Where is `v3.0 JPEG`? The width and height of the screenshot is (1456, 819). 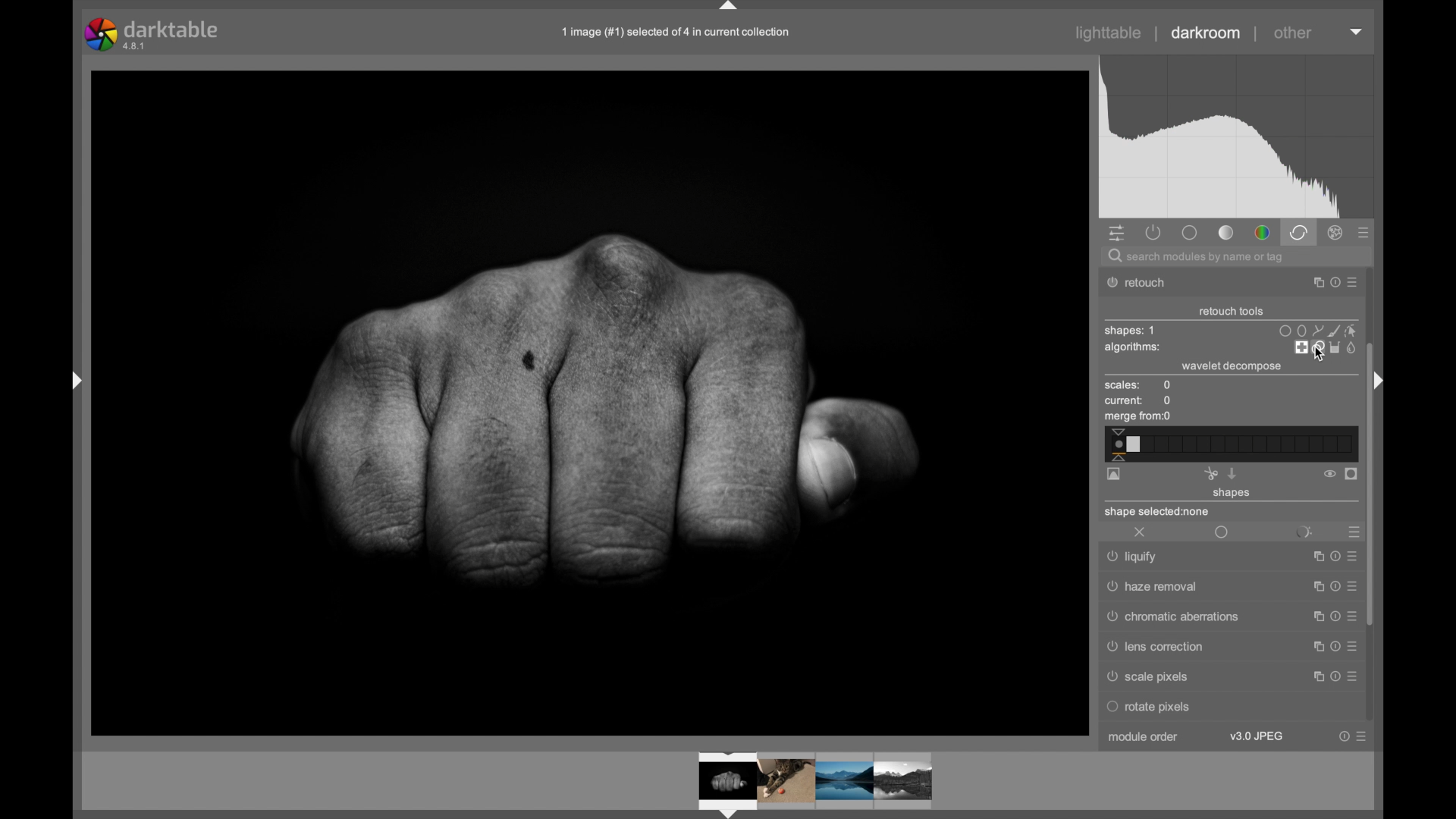 v3.0 JPEG is located at coordinates (1257, 736).